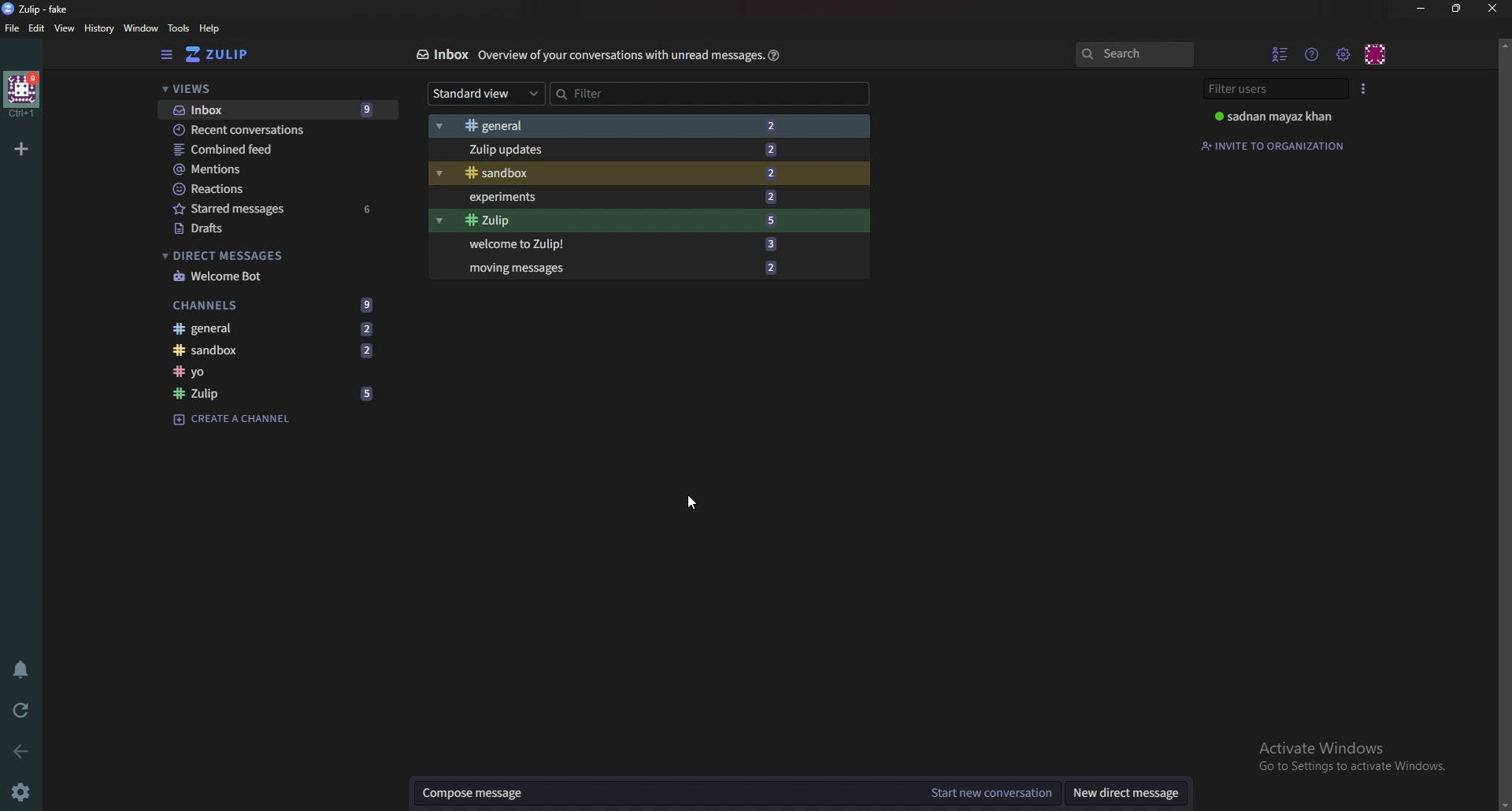 This screenshot has height=811, width=1512. Describe the element at coordinates (643, 94) in the screenshot. I see `Filter` at that location.